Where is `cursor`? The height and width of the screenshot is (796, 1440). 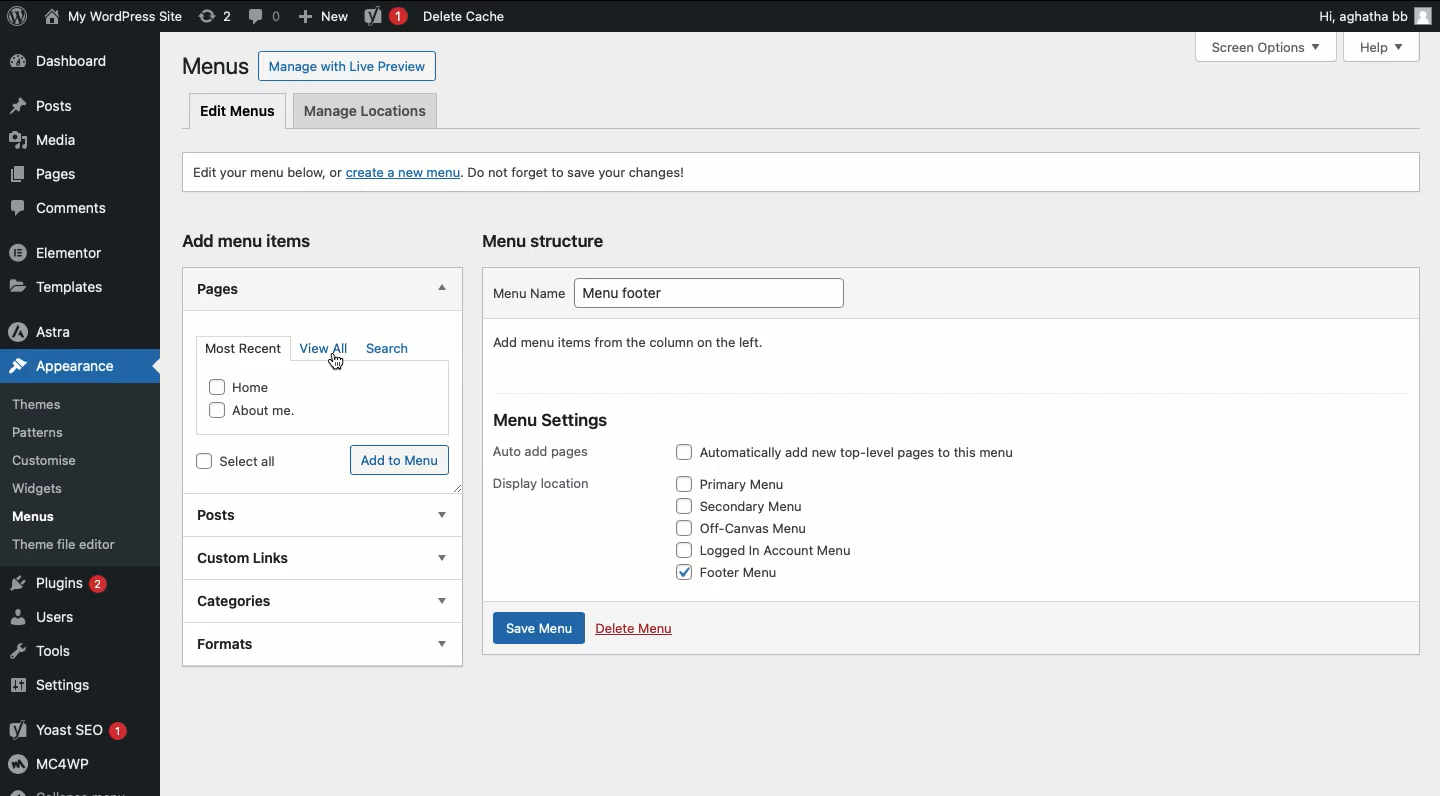 cursor is located at coordinates (340, 364).